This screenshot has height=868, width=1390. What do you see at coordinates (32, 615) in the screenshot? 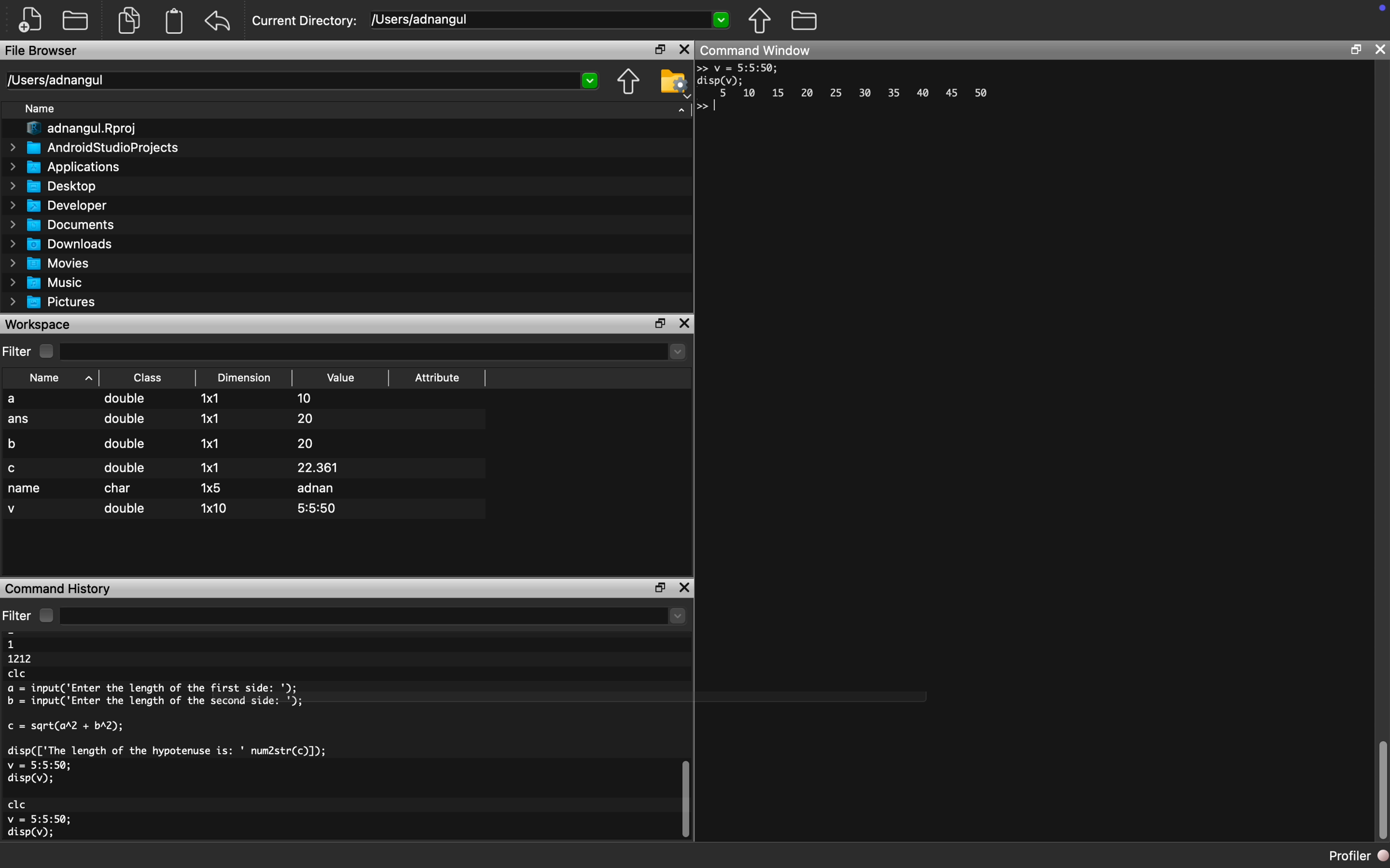
I see `Filter` at bounding box center [32, 615].